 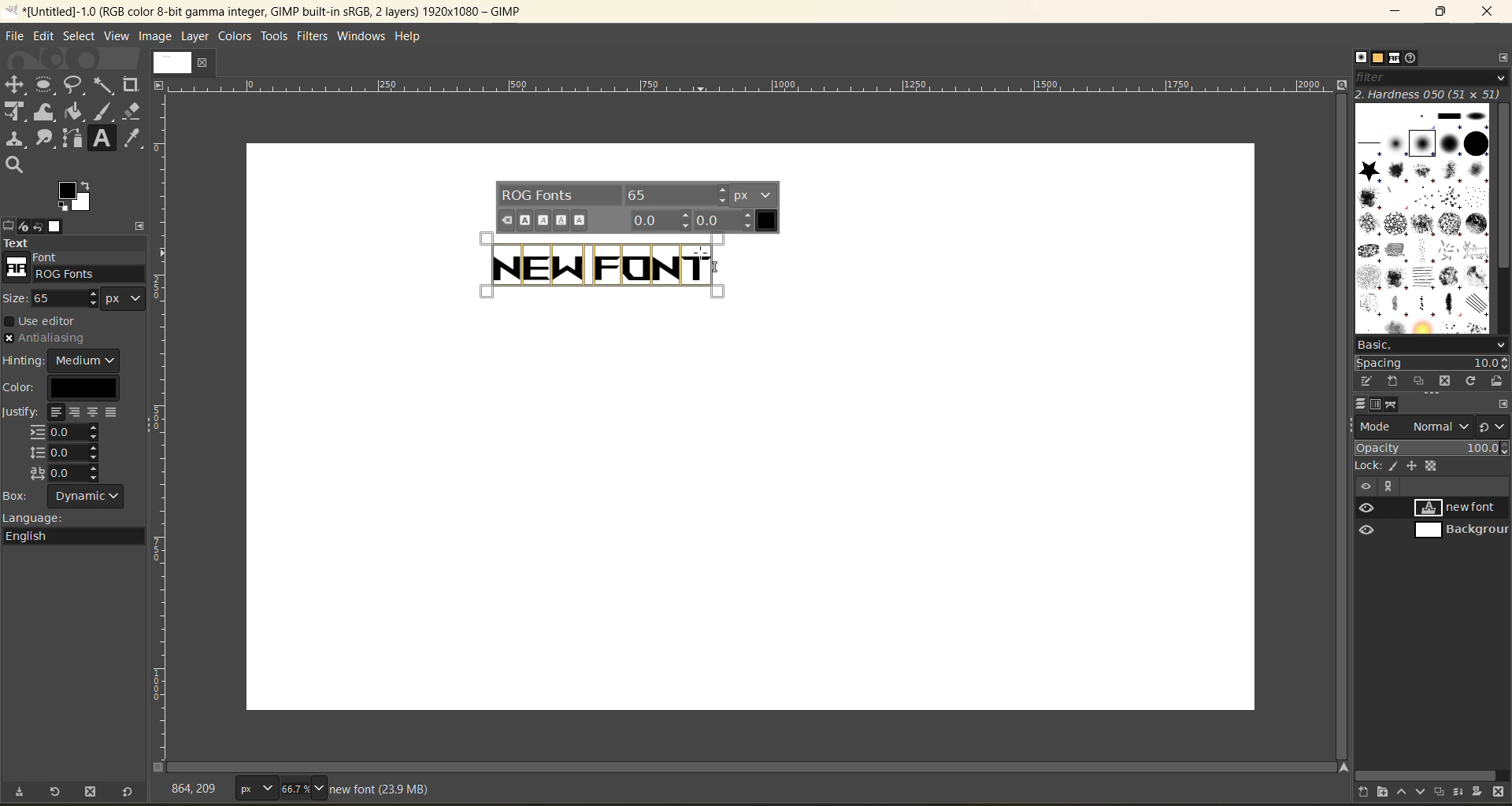 What do you see at coordinates (1448, 379) in the screenshot?
I see `delete this brush` at bounding box center [1448, 379].